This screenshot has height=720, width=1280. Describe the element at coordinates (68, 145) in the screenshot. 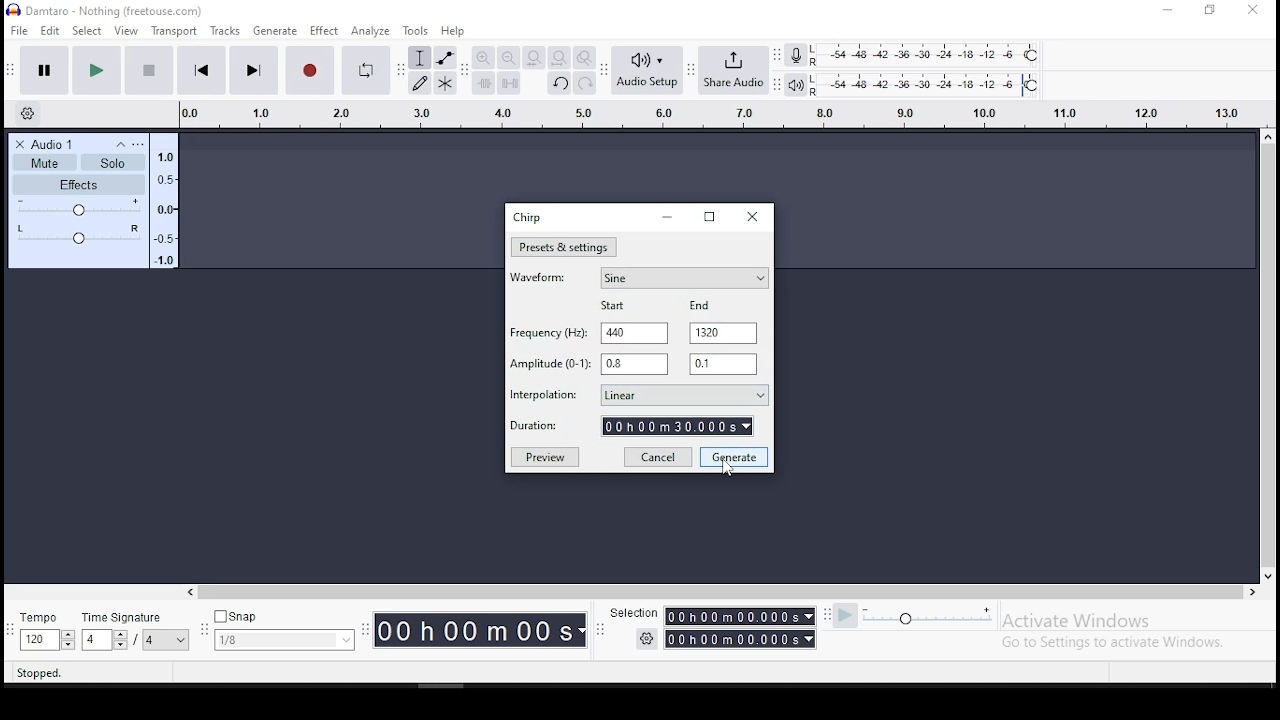

I see `audio` at that location.